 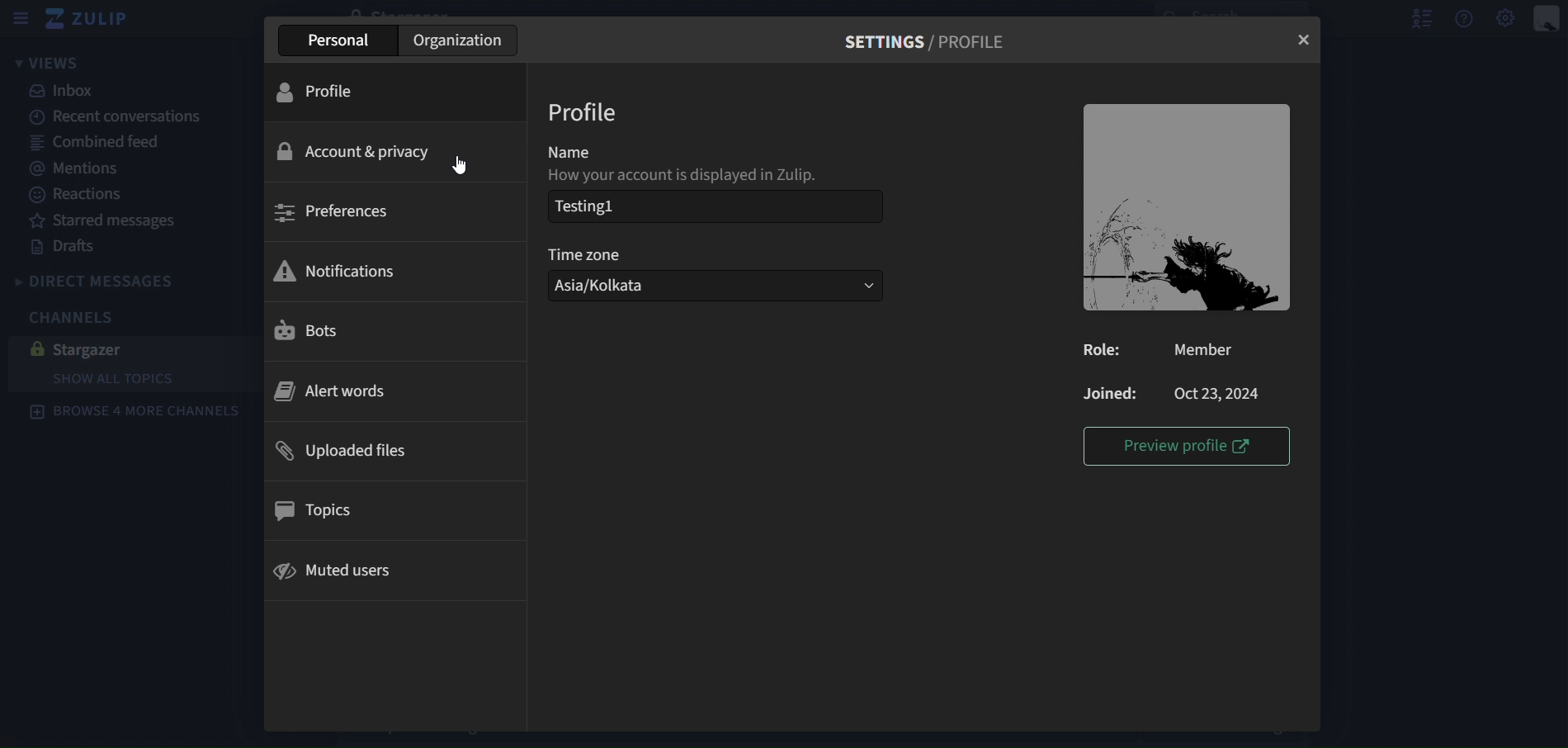 What do you see at coordinates (1547, 19) in the screenshot?
I see `personal menu` at bounding box center [1547, 19].